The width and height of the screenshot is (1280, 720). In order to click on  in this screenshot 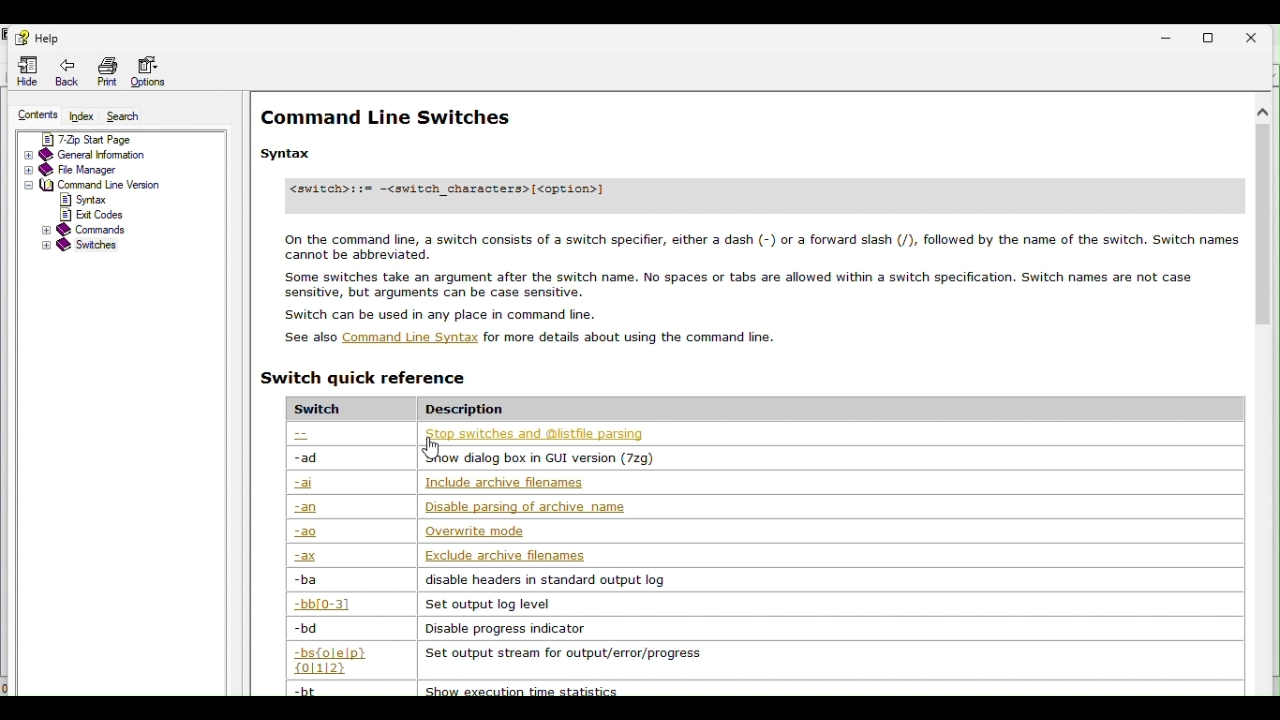, I will do `click(628, 338)`.